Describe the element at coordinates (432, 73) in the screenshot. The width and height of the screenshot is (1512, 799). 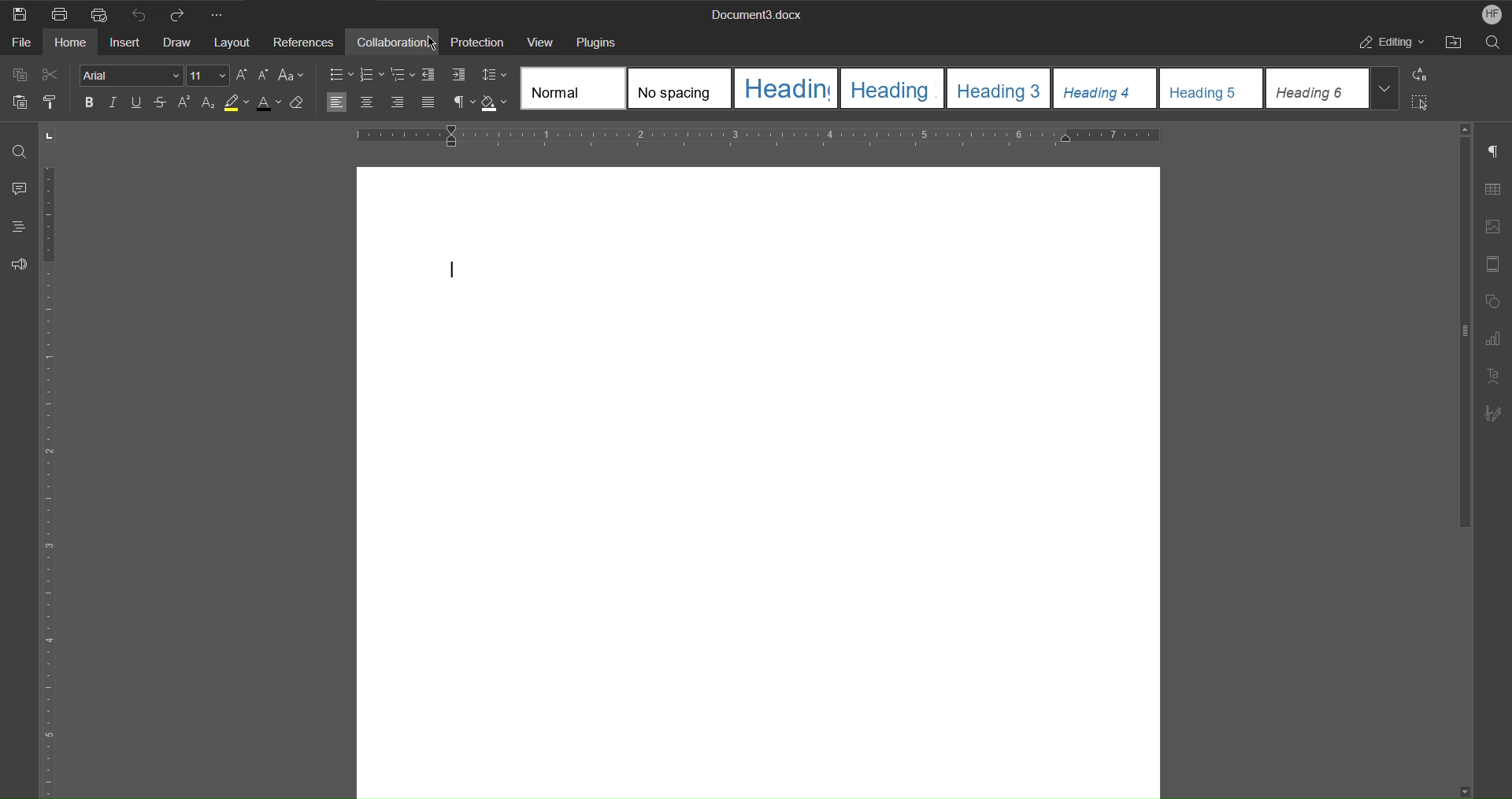
I see `Decrease indent` at that location.